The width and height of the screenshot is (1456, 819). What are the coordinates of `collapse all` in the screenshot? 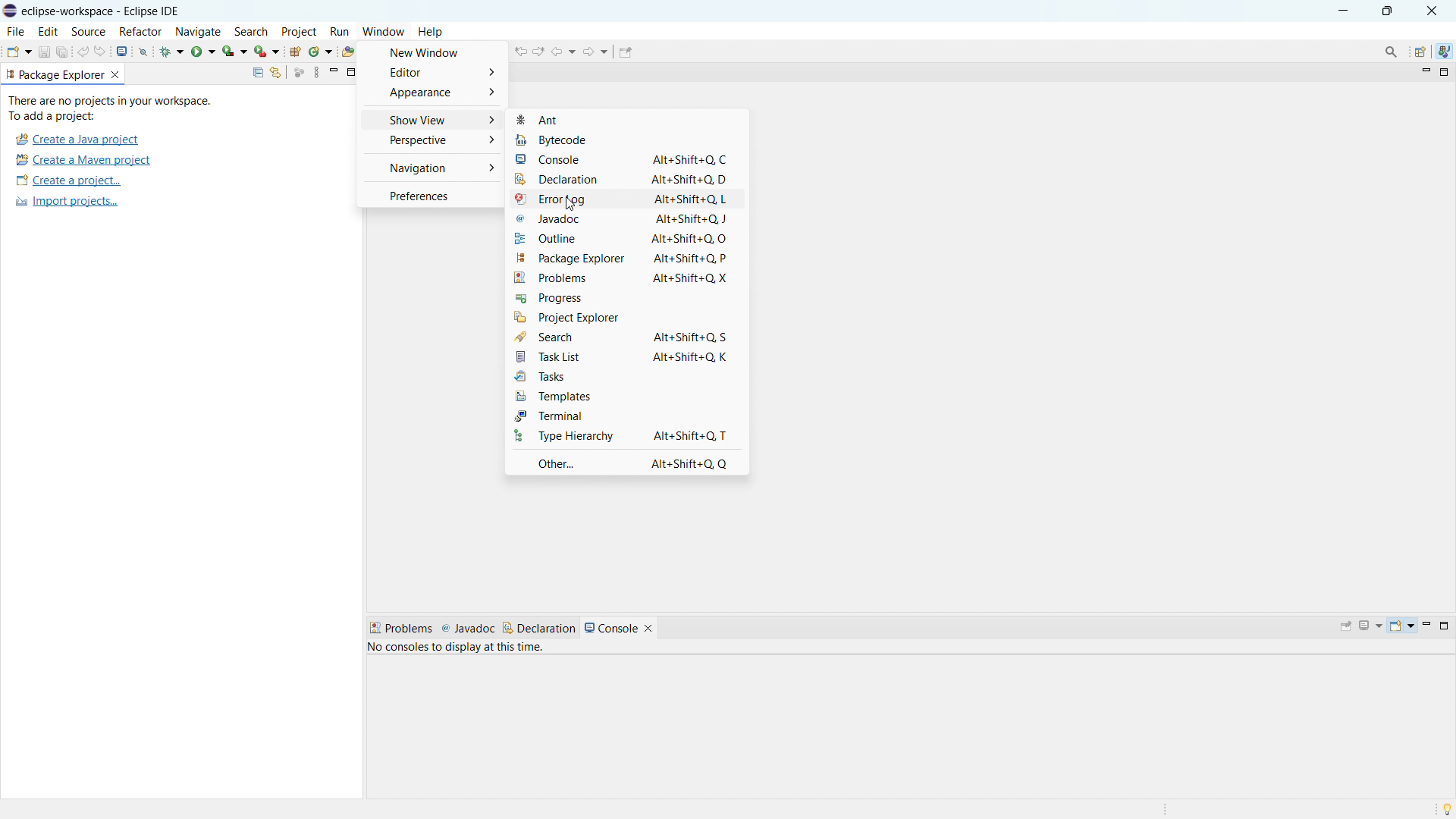 It's located at (256, 72).